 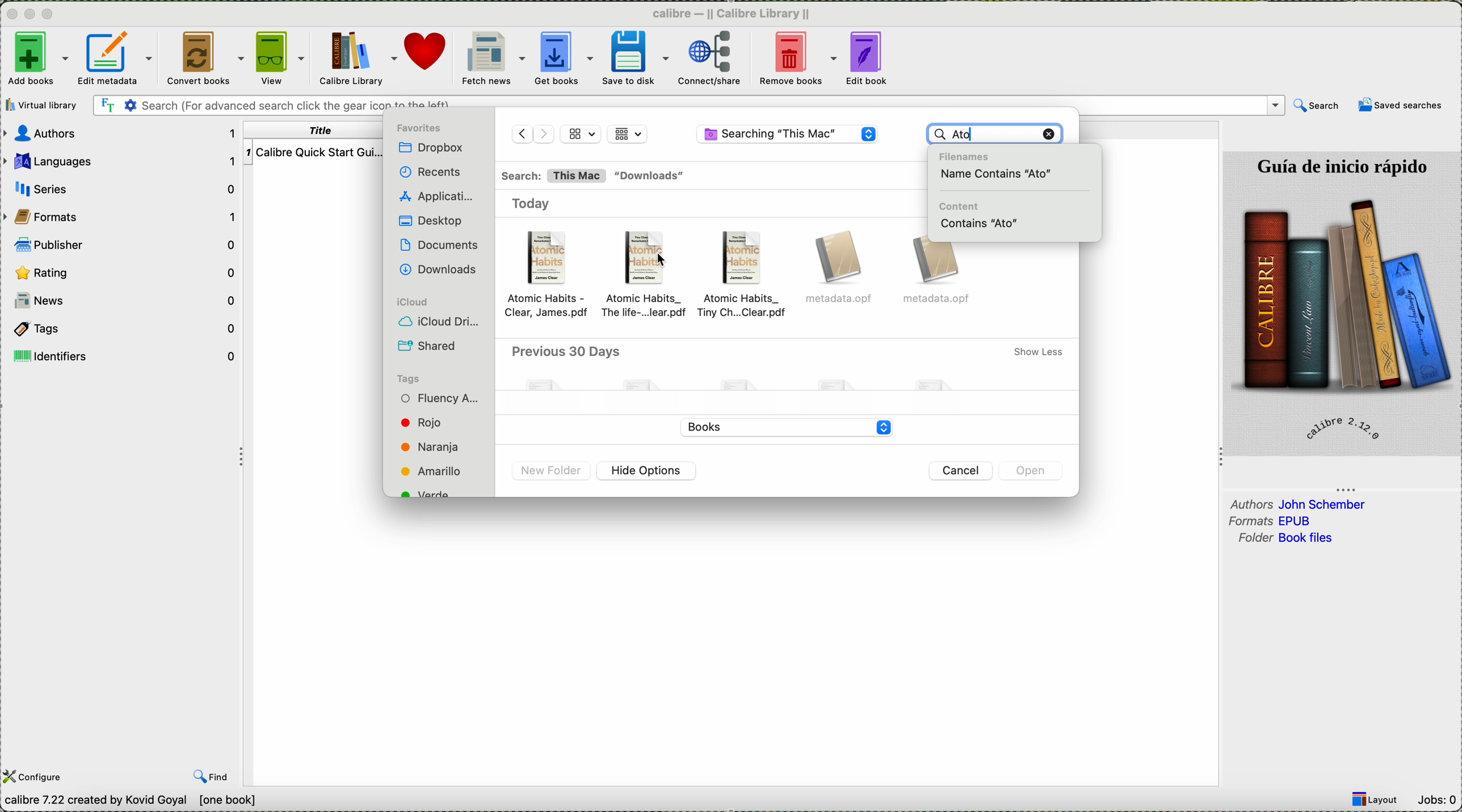 What do you see at coordinates (123, 274) in the screenshot?
I see `rating` at bounding box center [123, 274].